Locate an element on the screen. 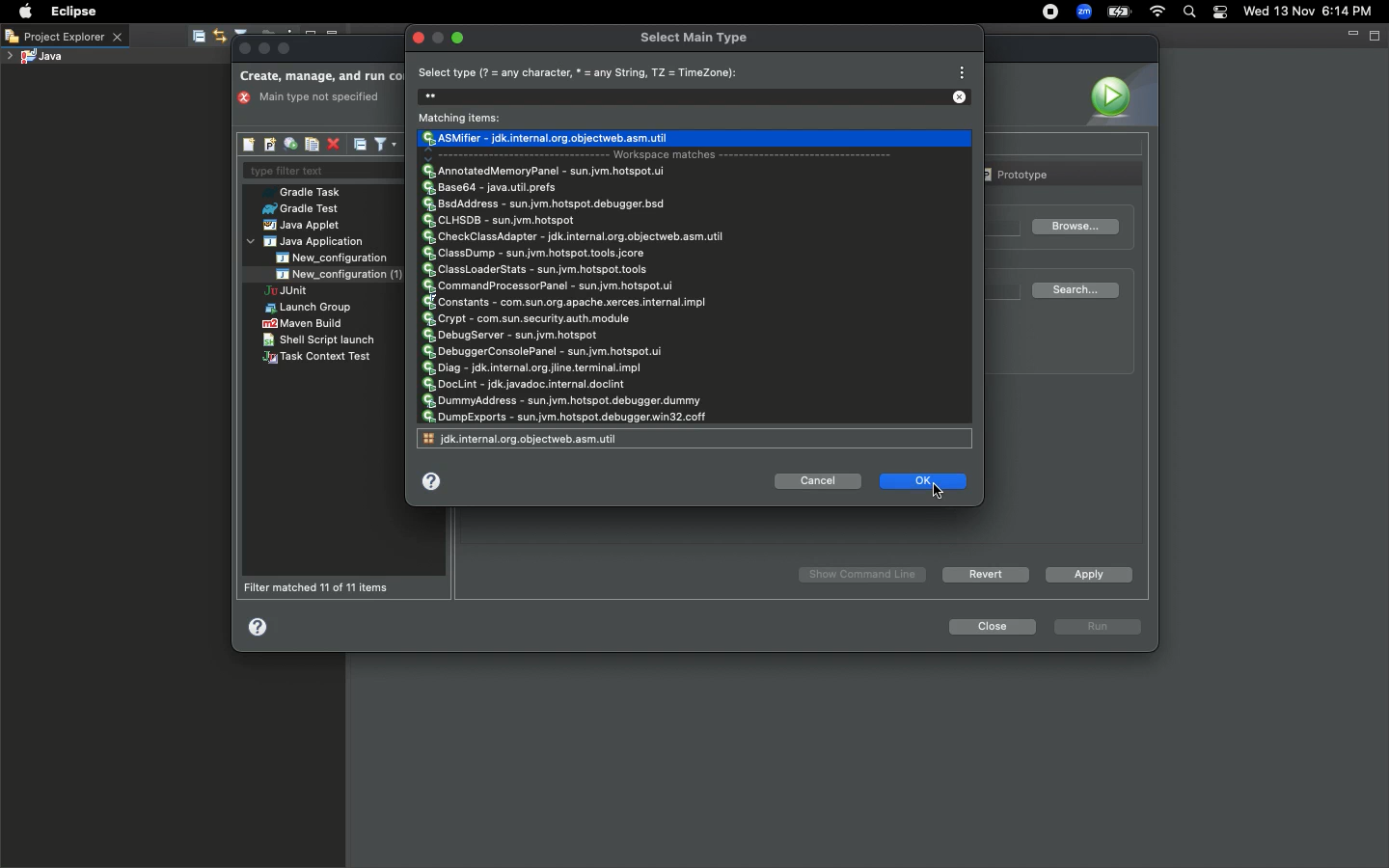  Select main type is located at coordinates (694, 37).